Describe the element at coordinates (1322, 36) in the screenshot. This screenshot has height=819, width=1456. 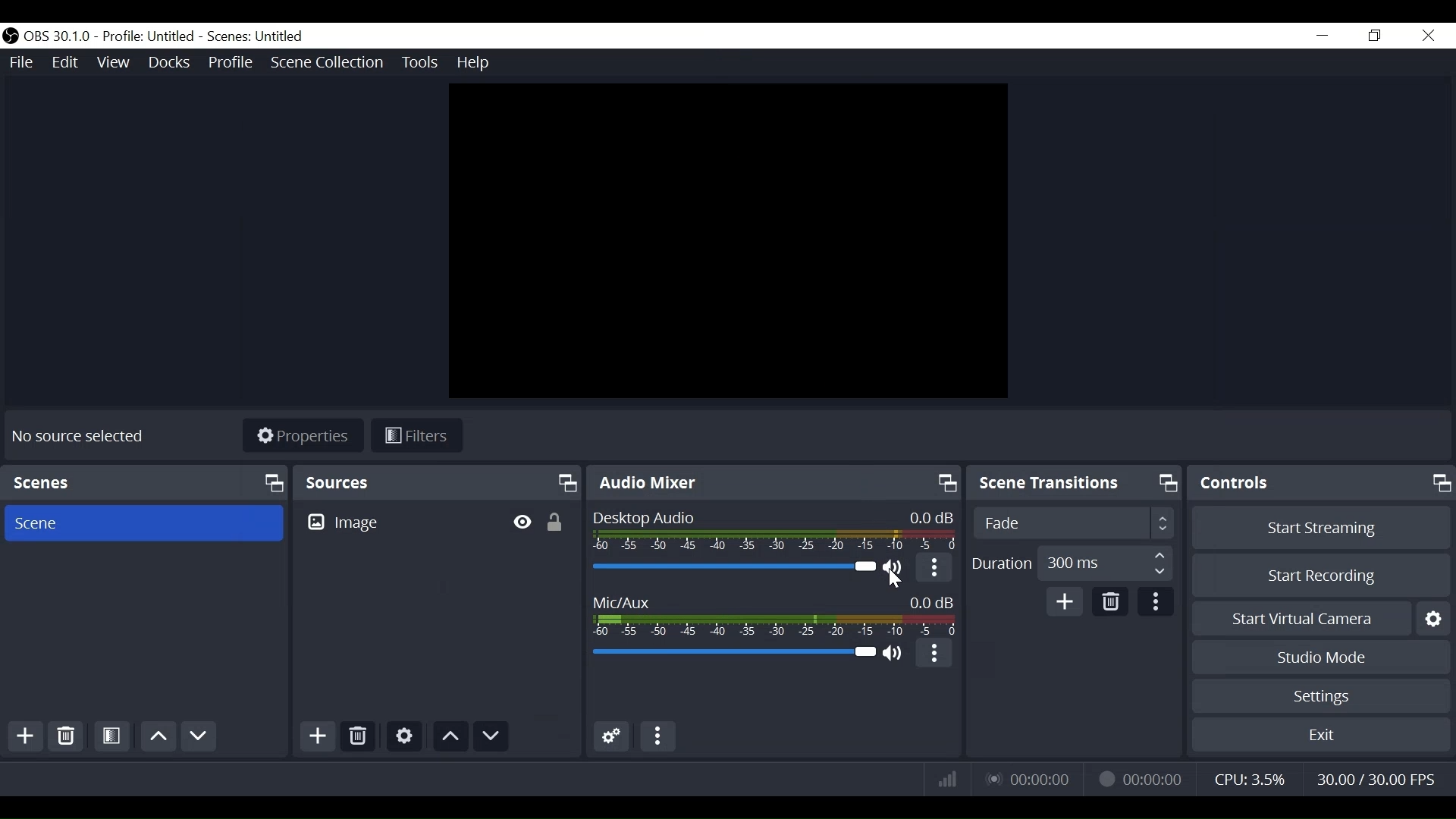
I see `minimize` at that location.